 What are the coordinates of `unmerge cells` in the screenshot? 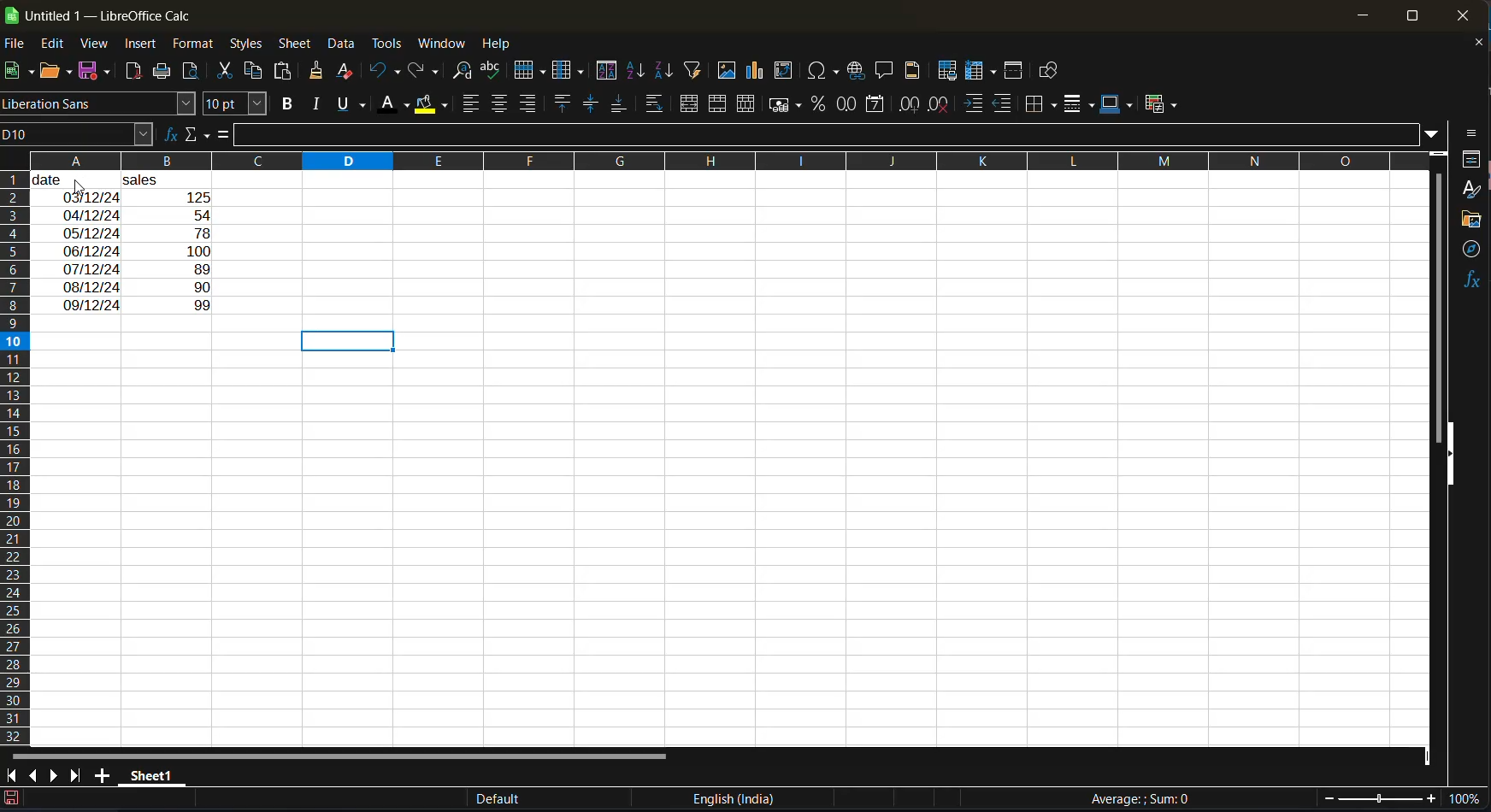 It's located at (750, 104).